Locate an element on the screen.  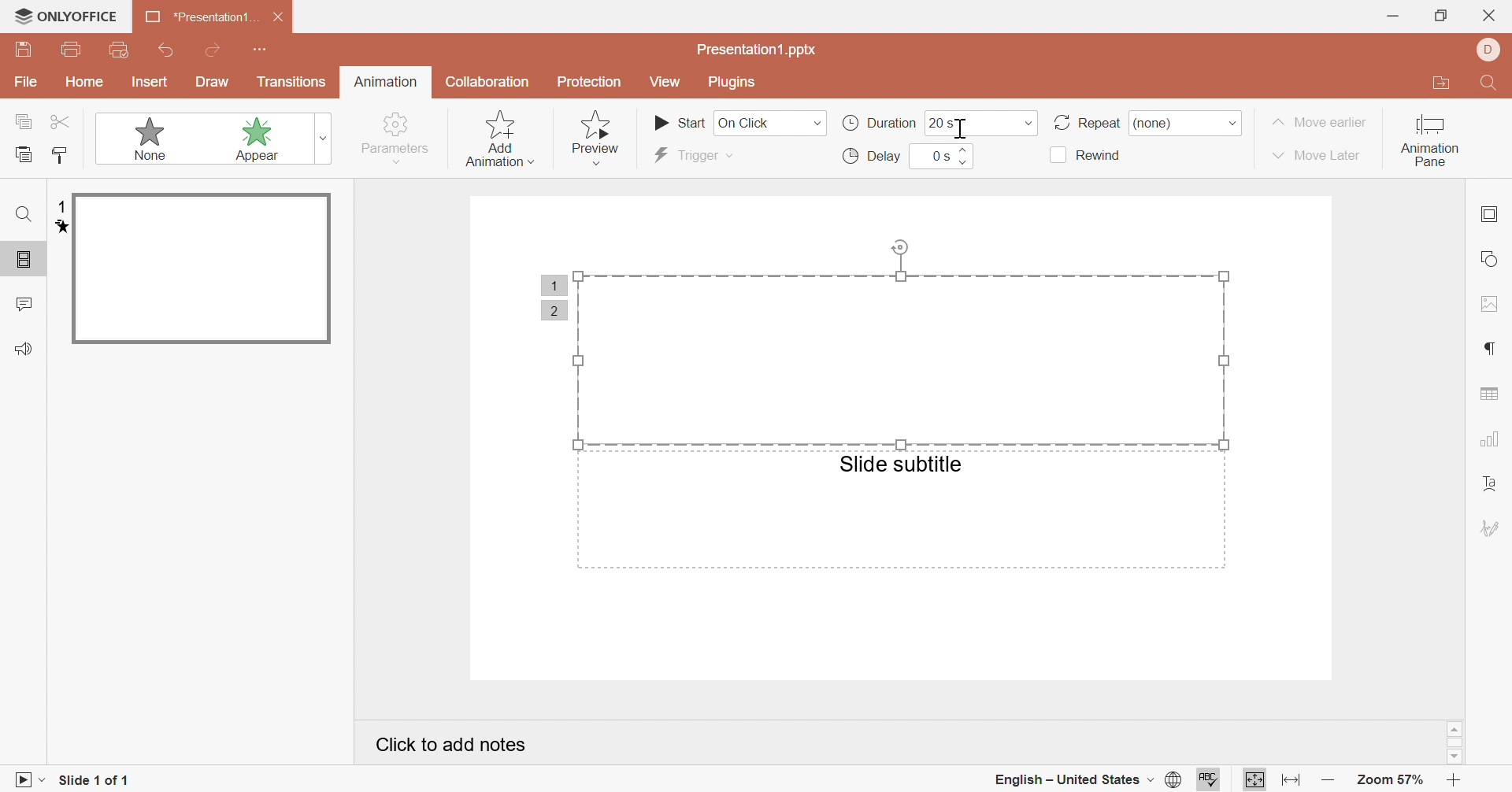
print preview is located at coordinates (121, 50).